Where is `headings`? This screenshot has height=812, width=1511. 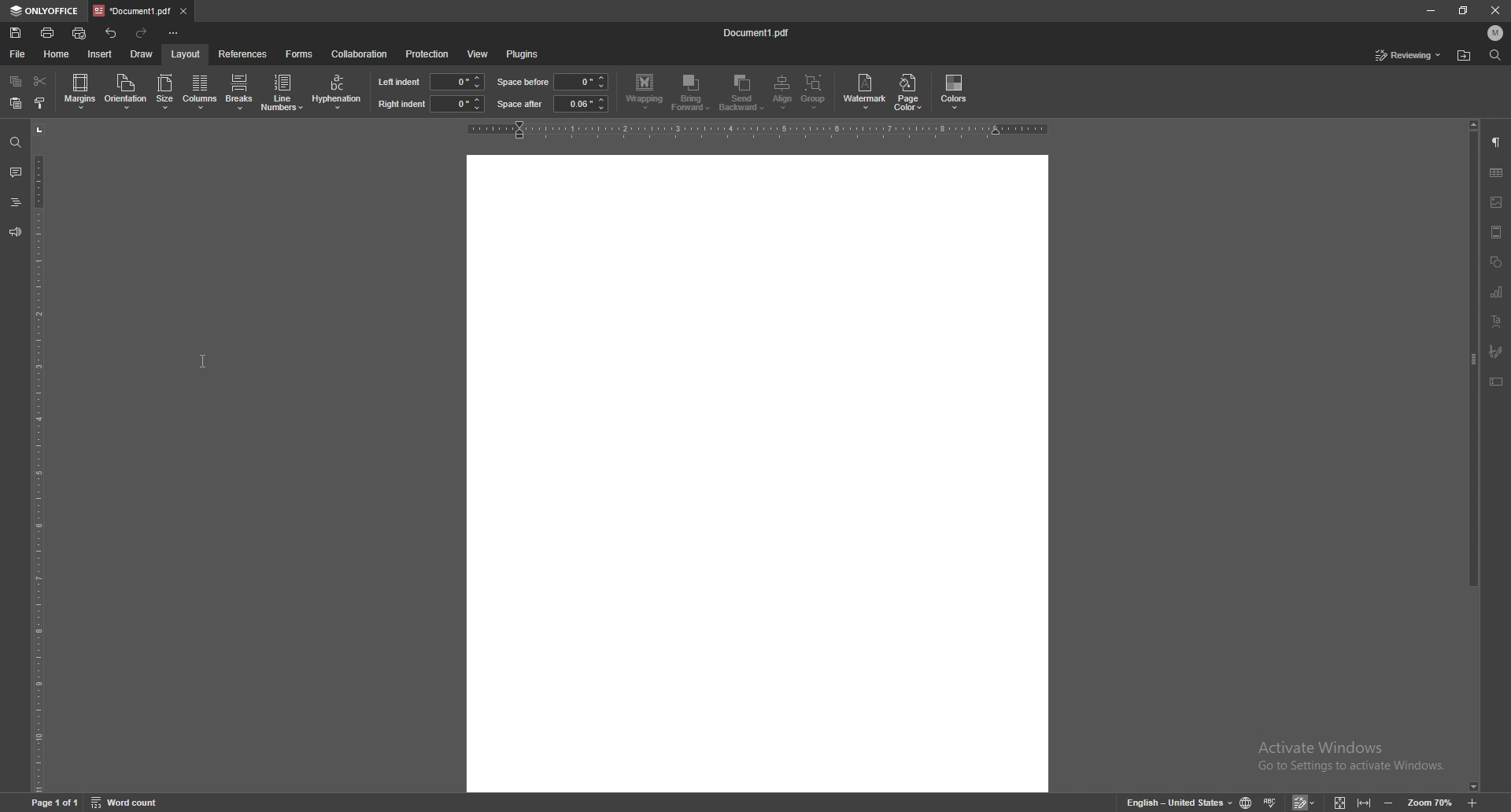
headings is located at coordinates (15, 202).